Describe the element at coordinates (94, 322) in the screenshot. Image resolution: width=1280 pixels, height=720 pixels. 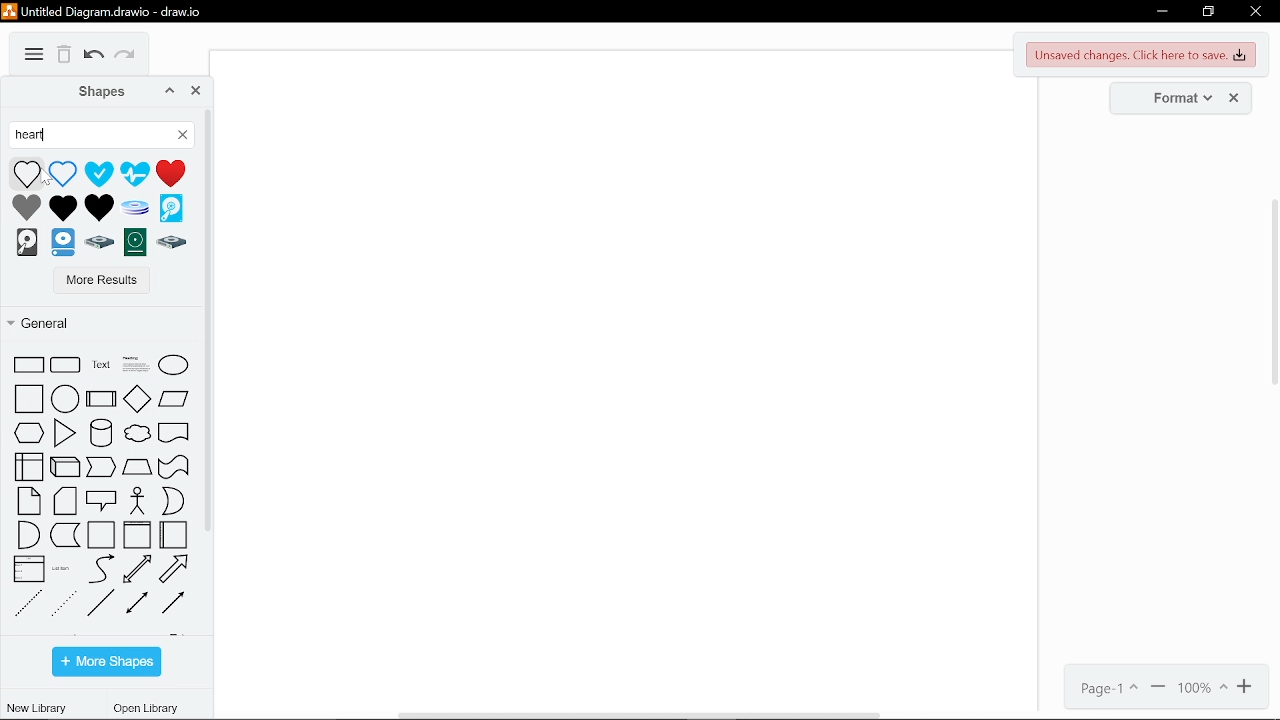
I see `general` at that location.